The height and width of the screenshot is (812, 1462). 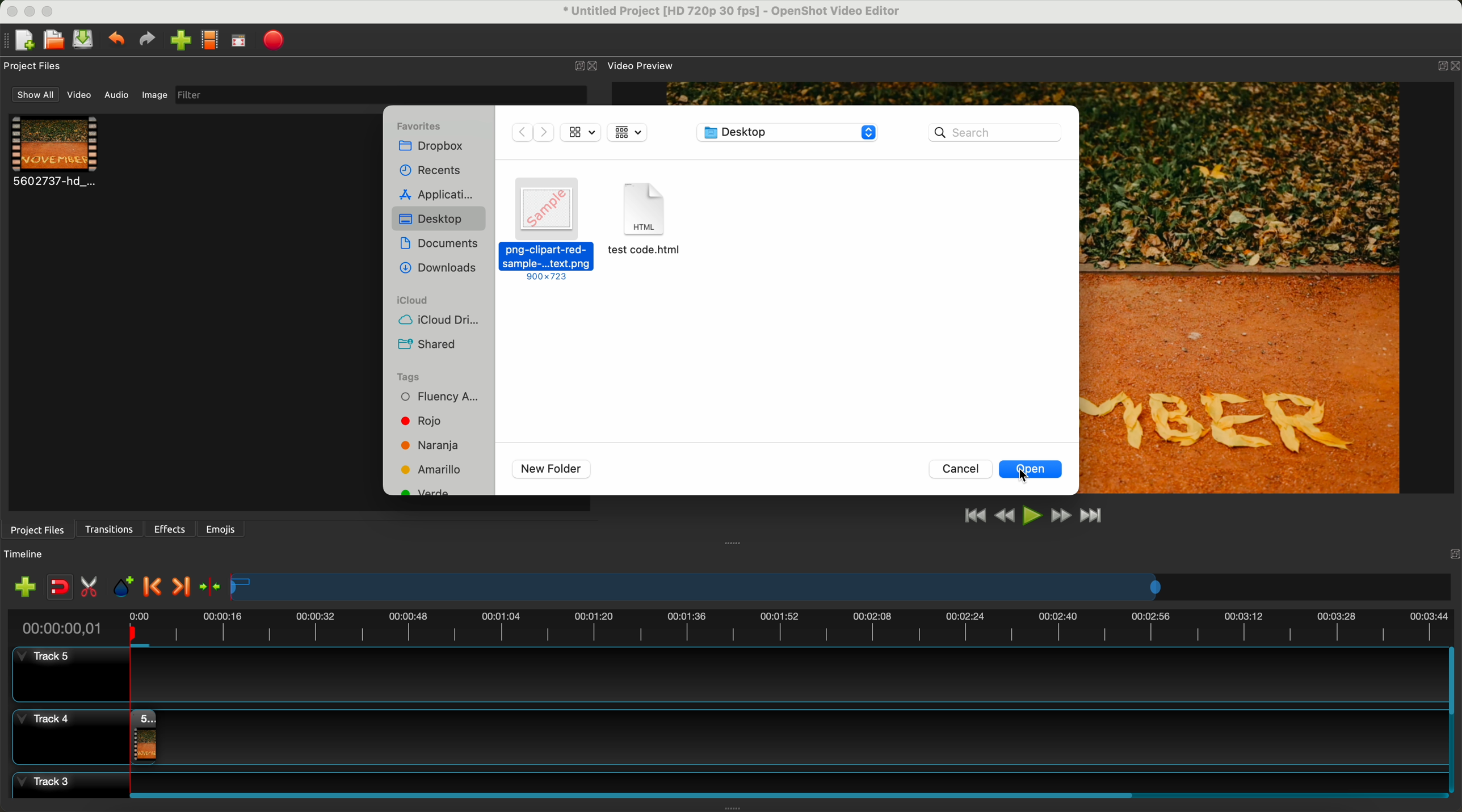 What do you see at coordinates (221, 527) in the screenshot?
I see `emojis` at bounding box center [221, 527].